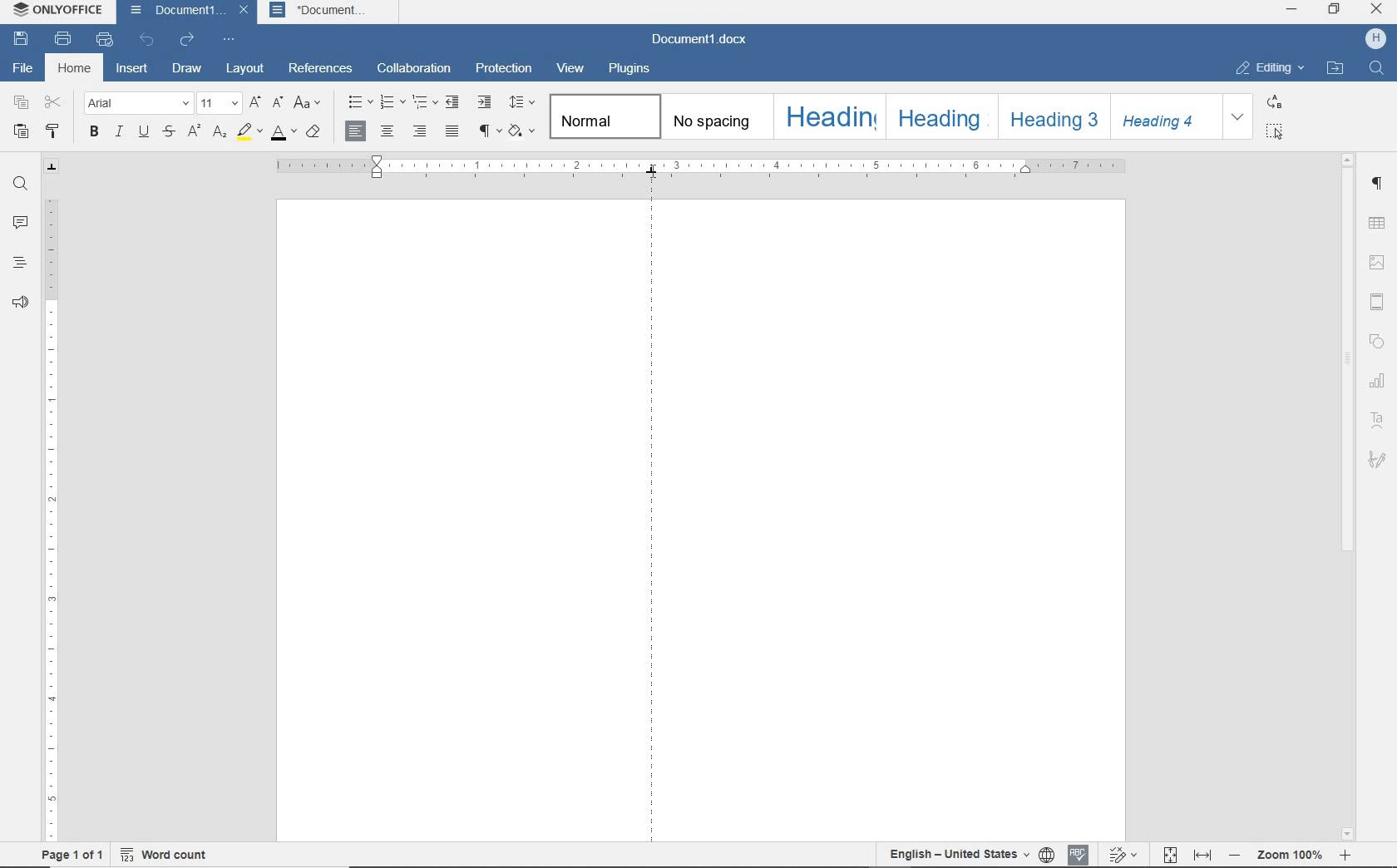  What do you see at coordinates (1171, 856) in the screenshot?
I see `FIT TO PAGE` at bounding box center [1171, 856].